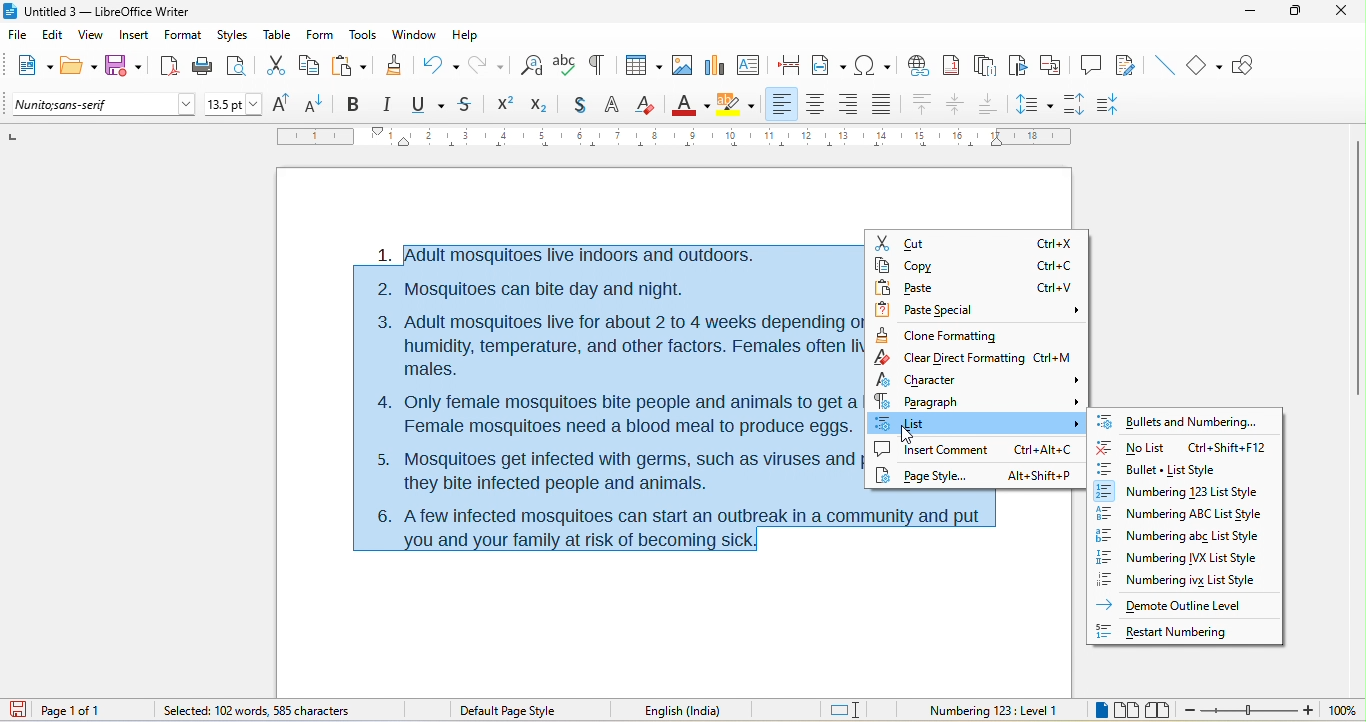  What do you see at coordinates (783, 104) in the screenshot?
I see `align left` at bounding box center [783, 104].